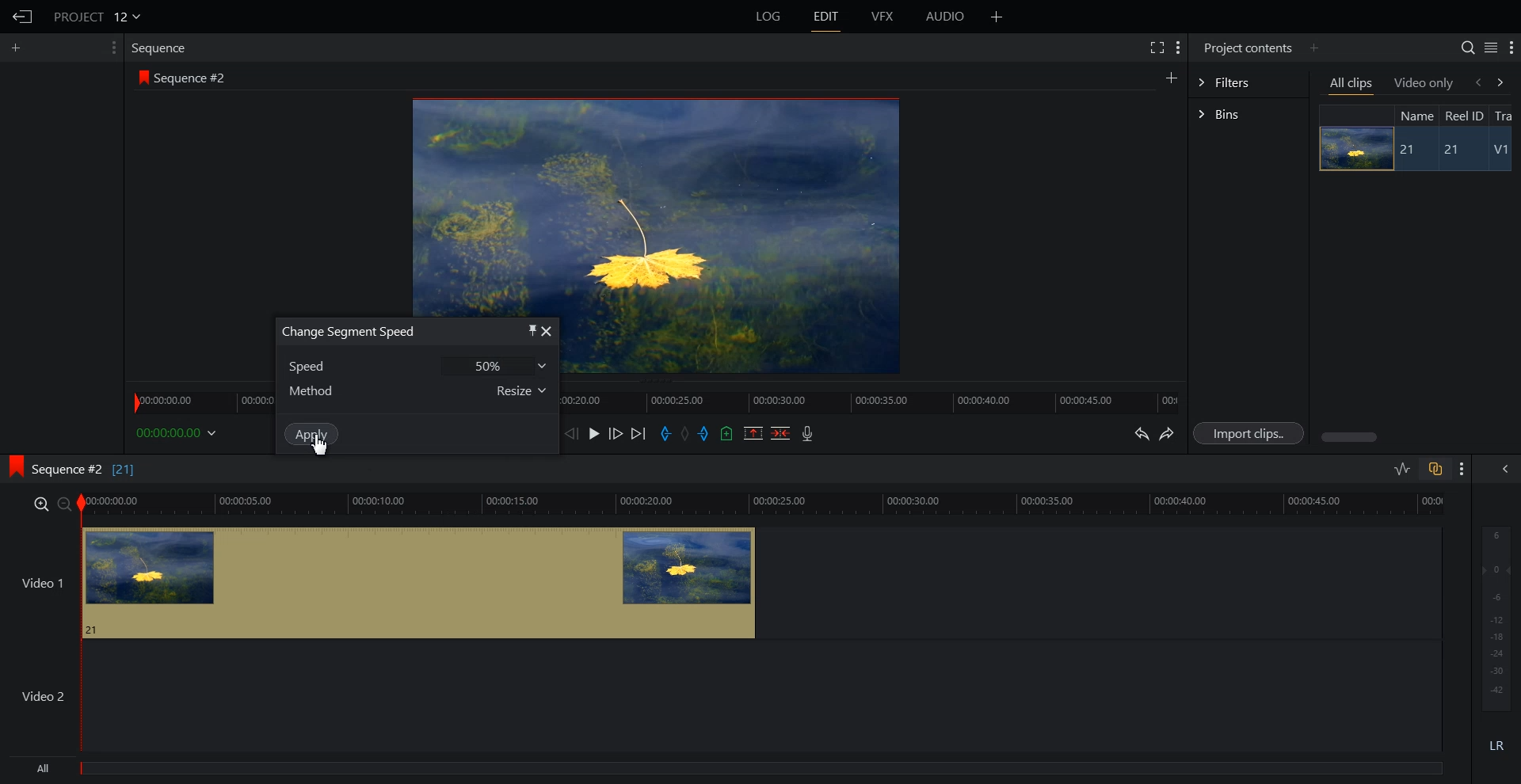 The width and height of the screenshot is (1521, 784). What do you see at coordinates (1178, 48) in the screenshot?
I see `Show setting menu` at bounding box center [1178, 48].